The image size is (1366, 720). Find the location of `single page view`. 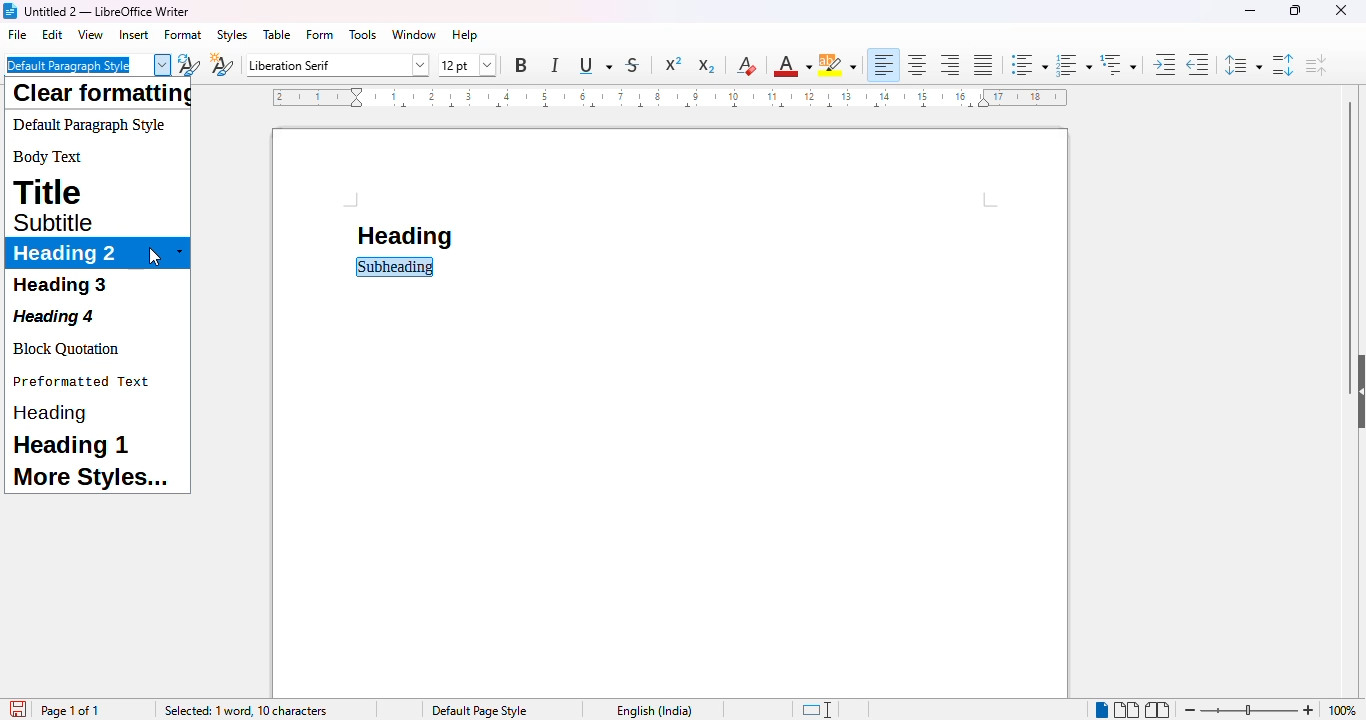

single page view is located at coordinates (1100, 709).